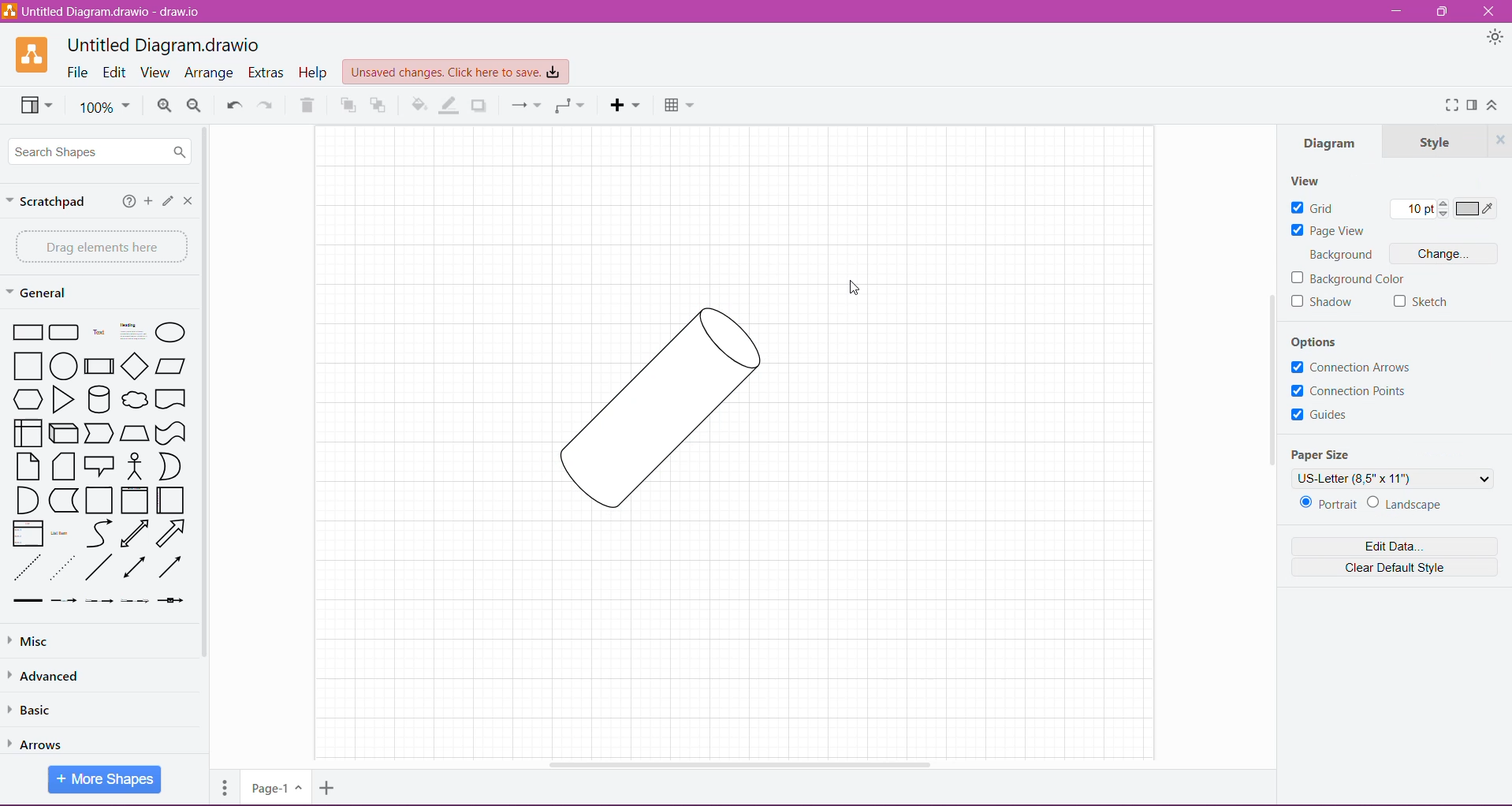 The image size is (1512, 806). Describe the element at coordinates (1394, 569) in the screenshot. I see `Clear Default Style` at that location.